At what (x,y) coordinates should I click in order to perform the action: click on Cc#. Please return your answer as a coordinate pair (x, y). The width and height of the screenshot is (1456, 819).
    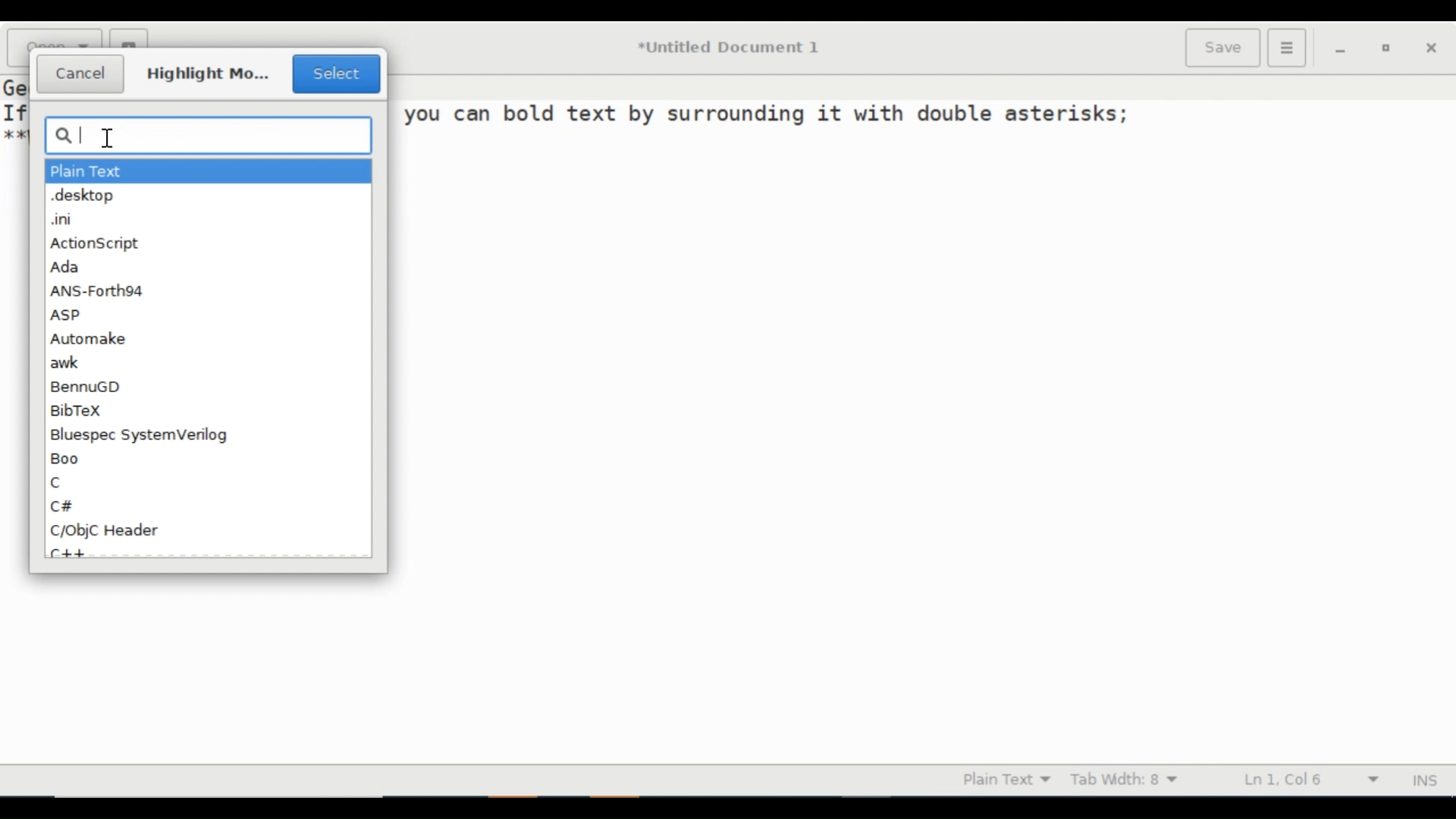
    Looking at the image, I should click on (64, 506).